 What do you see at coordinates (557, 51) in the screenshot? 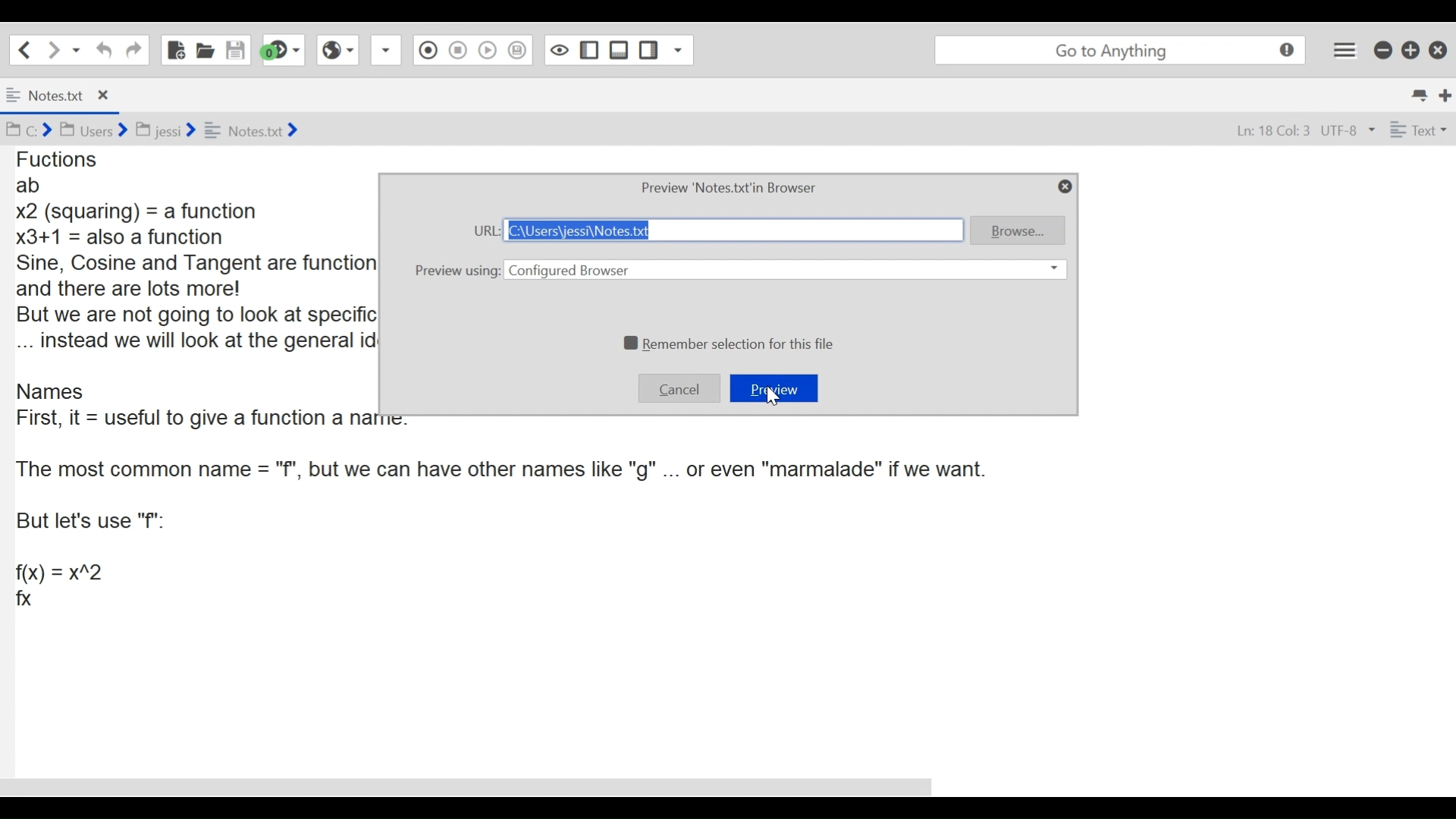
I see `Toggle focus mode` at bounding box center [557, 51].